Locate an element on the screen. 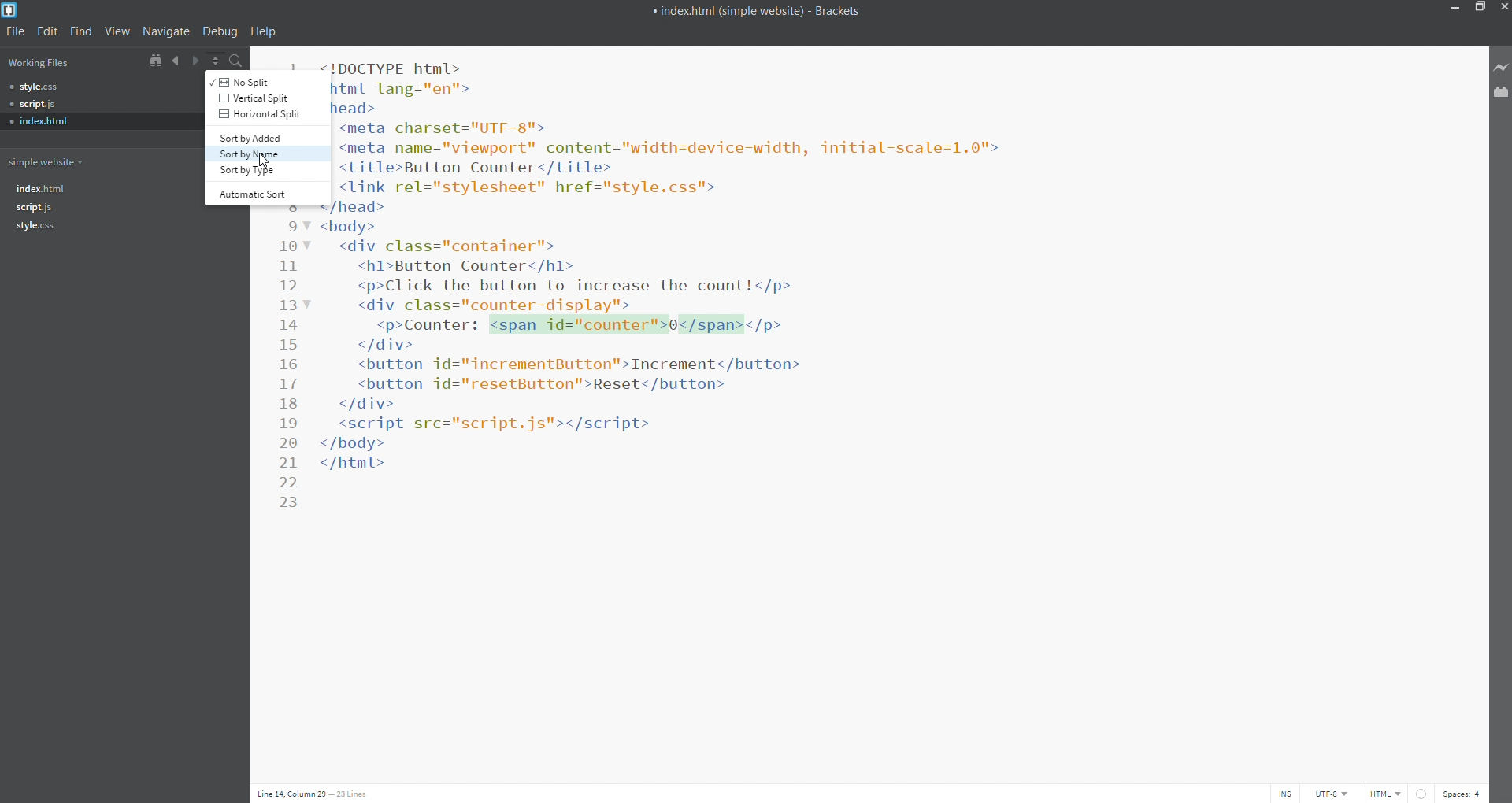  automatic sort is located at coordinates (252, 193).